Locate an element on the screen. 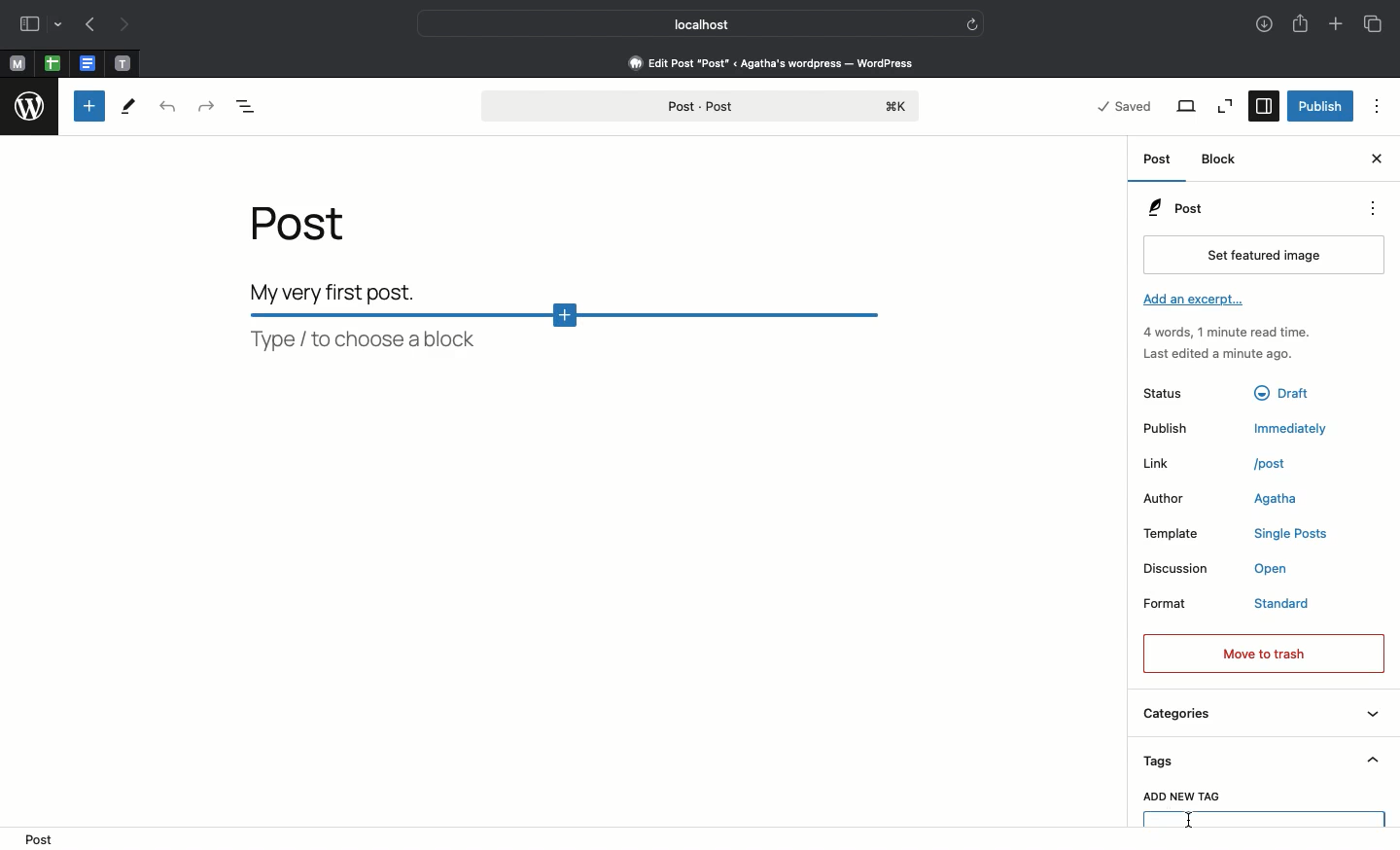  Downloads is located at coordinates (1261, 22).